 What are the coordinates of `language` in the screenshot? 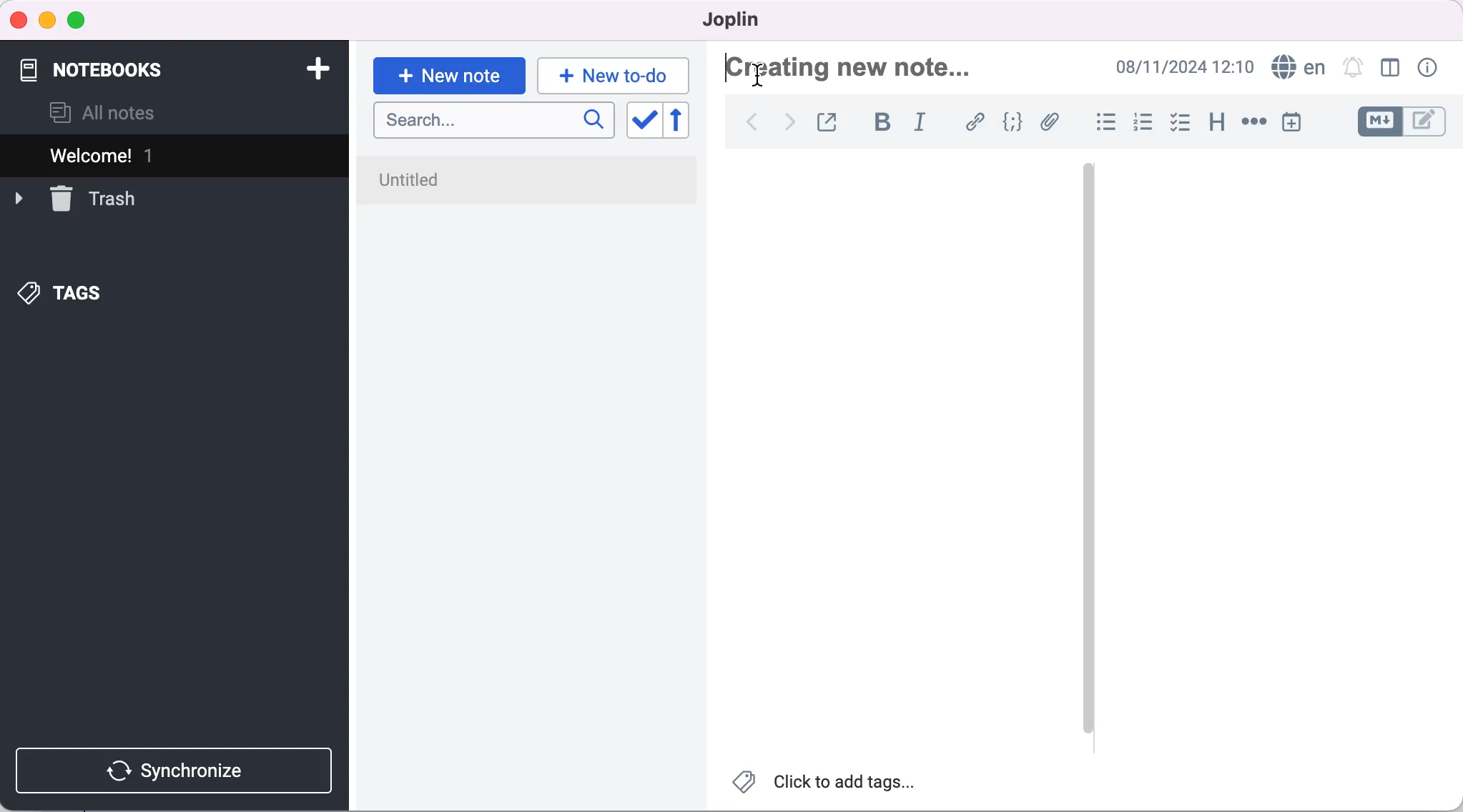 It's located at (1296, 69).